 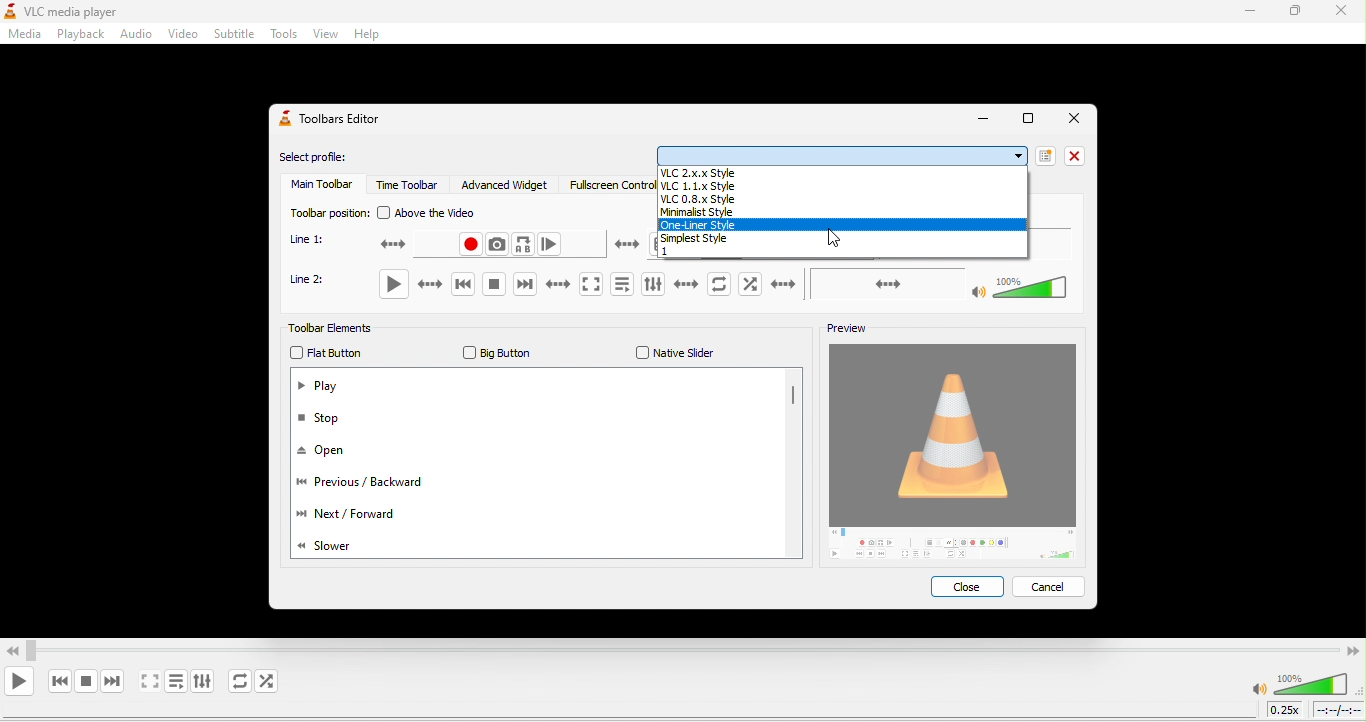 What do you see at coordinates (58, 681) in the screenshot?
I see `previous media` at bounding box center [58, 681].